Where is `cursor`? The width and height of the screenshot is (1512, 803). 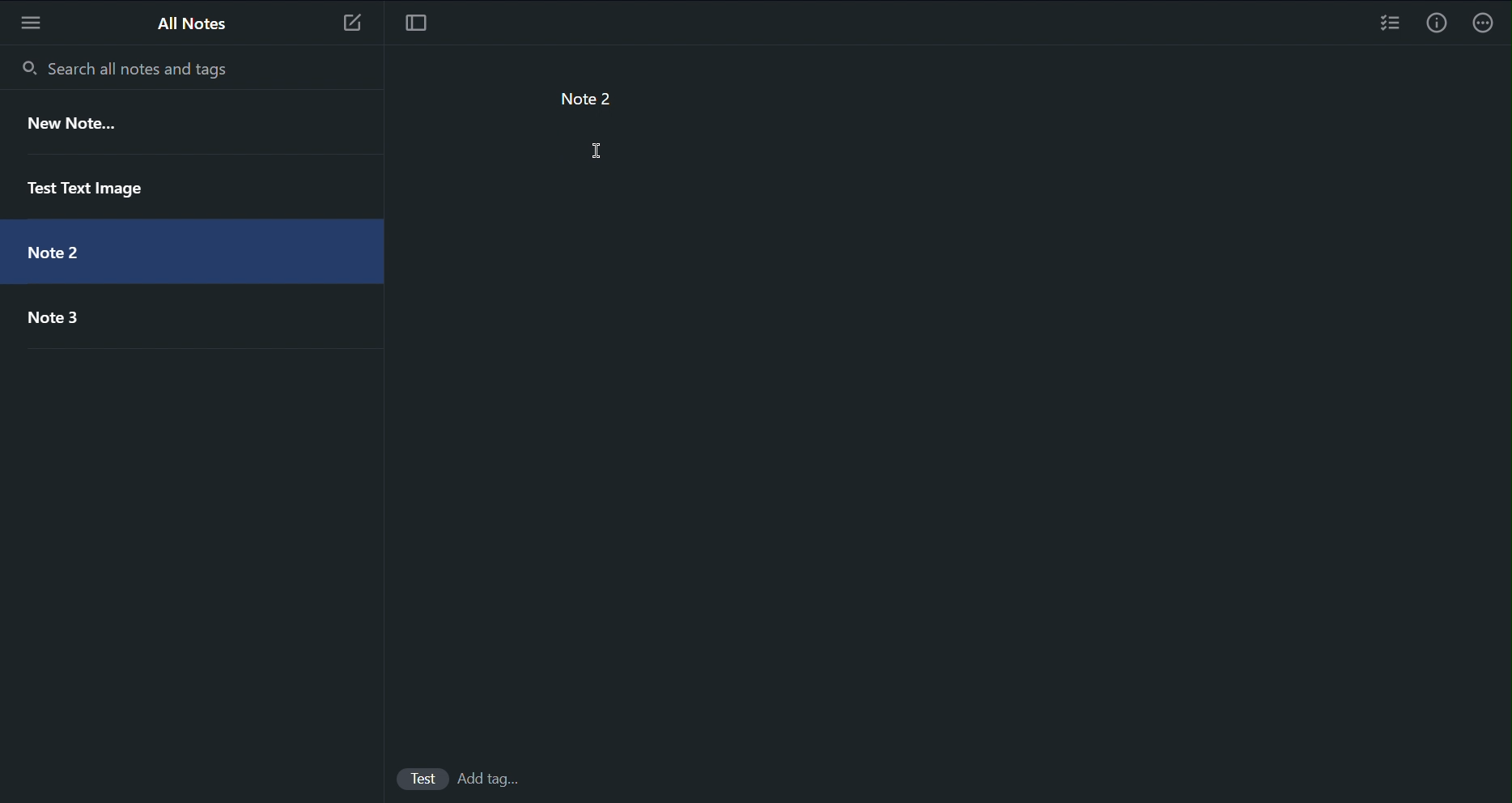 cursor is located at coordinates (601, 152).